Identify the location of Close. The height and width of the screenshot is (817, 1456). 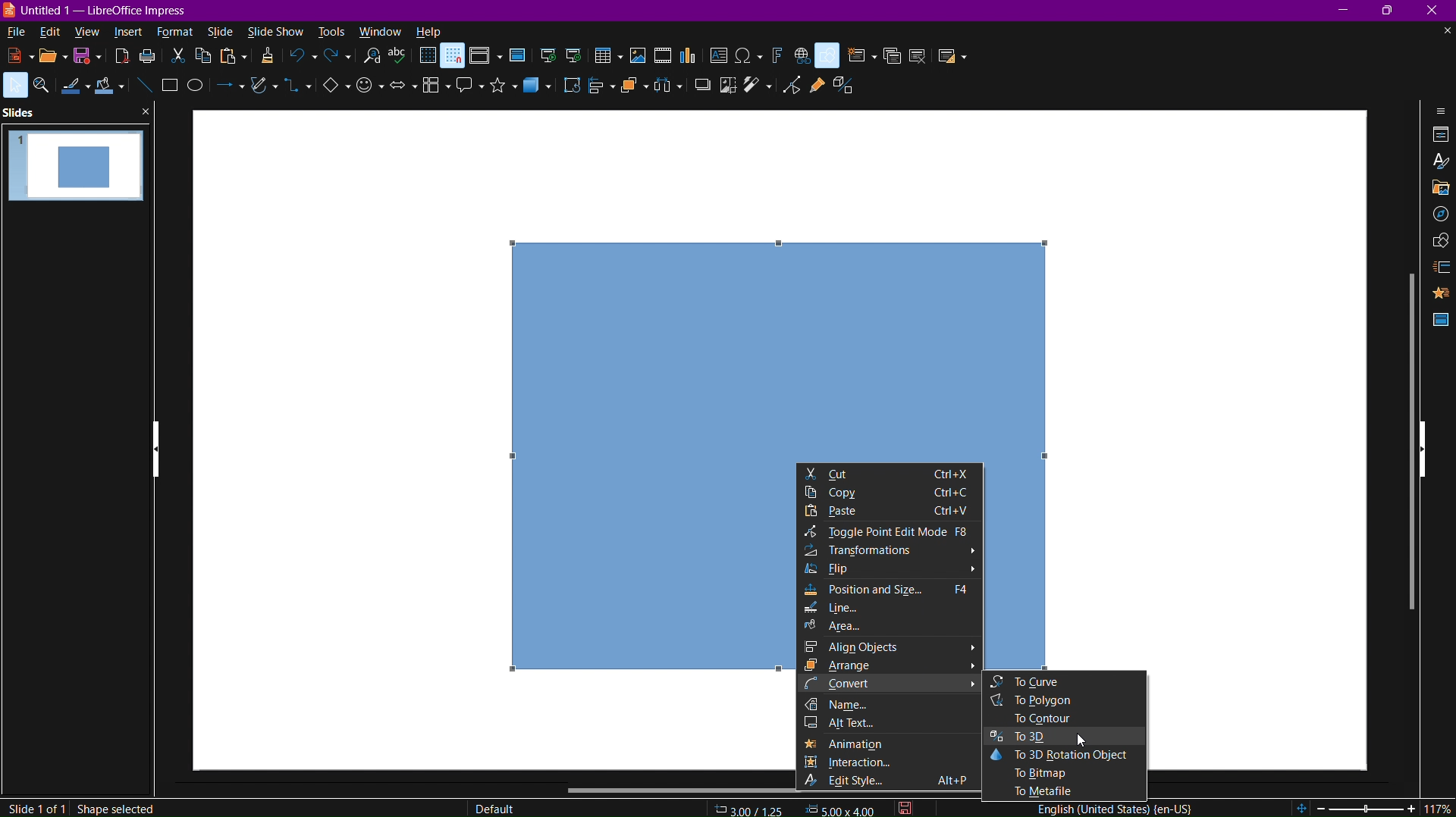
(1436, 11).